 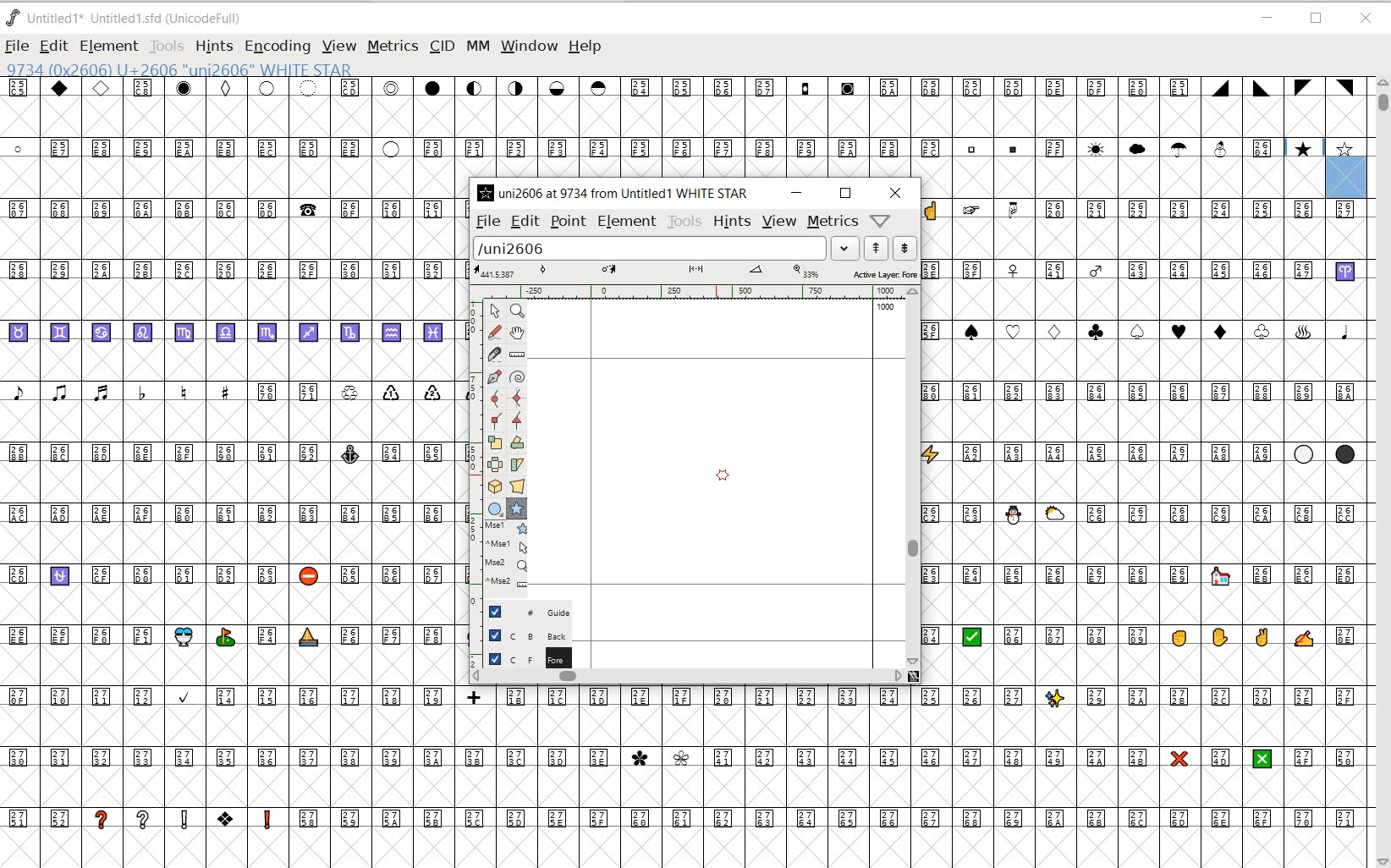 What do you see at coordinates (691, 291) in the screenshot?
I see `RULER` at bounding box center [691, 291].